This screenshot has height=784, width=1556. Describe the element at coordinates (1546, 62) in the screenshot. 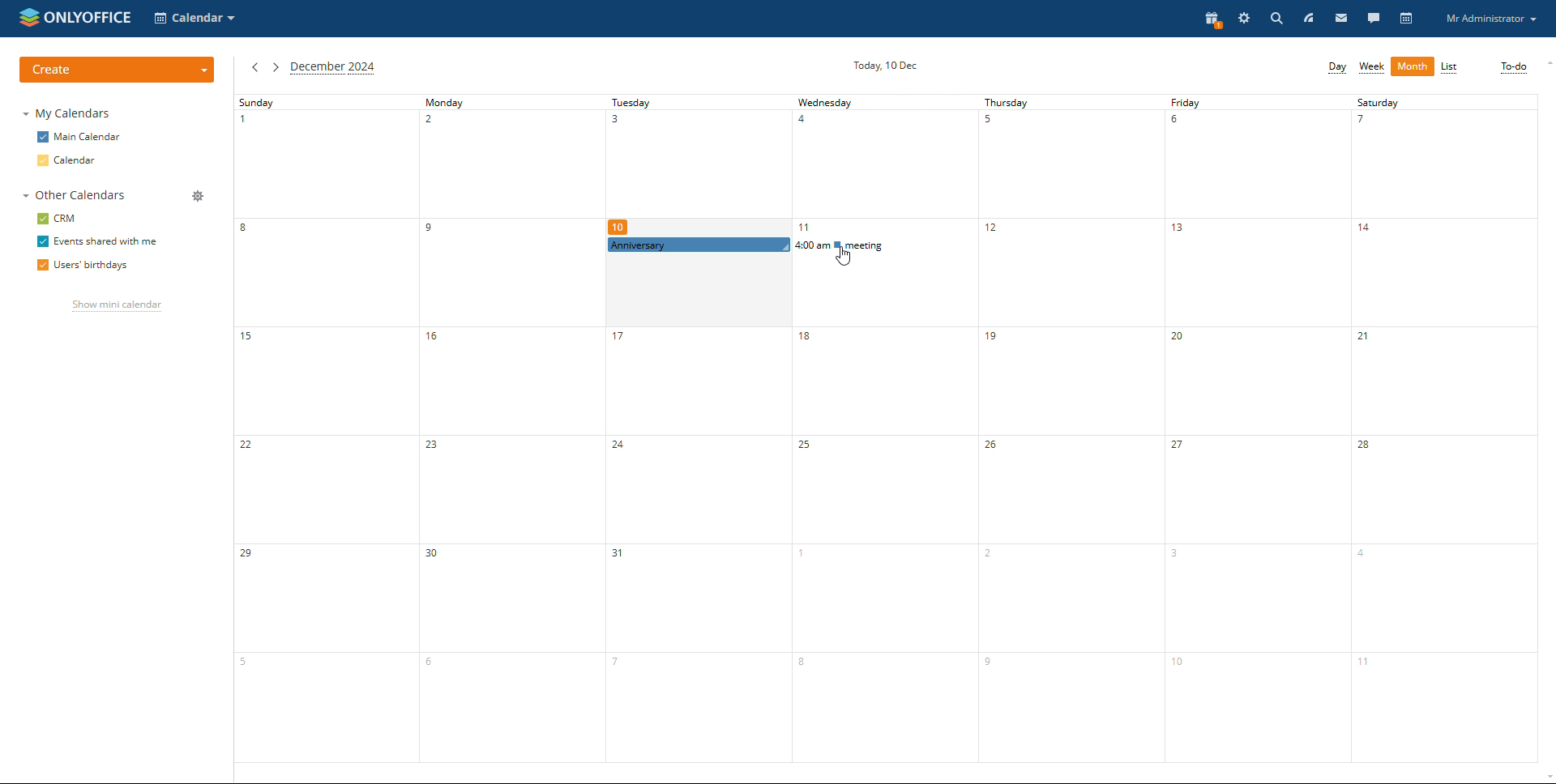

I see `scroll up` at that location.